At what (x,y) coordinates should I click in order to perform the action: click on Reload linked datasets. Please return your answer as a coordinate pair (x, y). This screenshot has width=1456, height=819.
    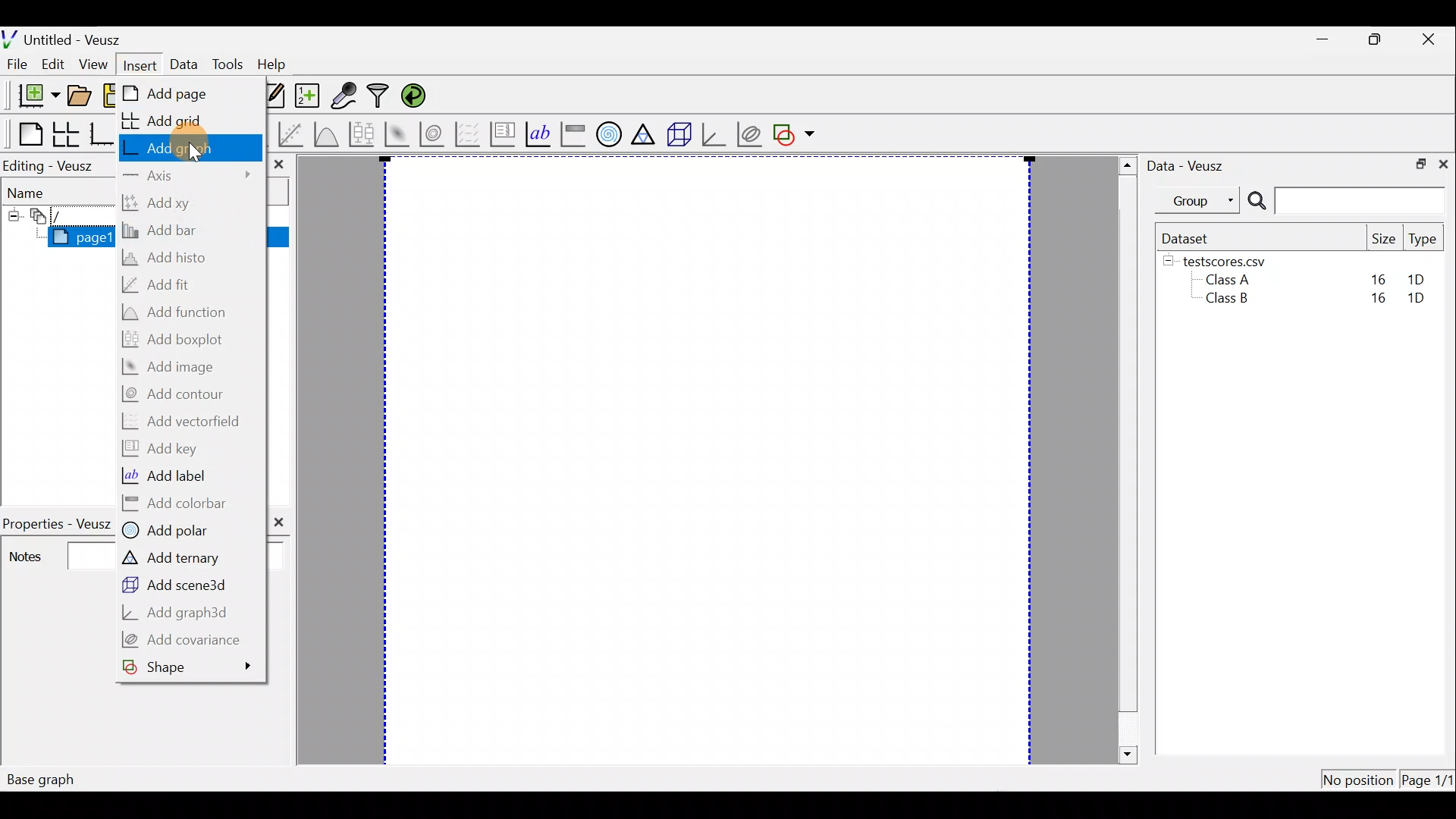
    Looking at the image, I should click on (415, 96).